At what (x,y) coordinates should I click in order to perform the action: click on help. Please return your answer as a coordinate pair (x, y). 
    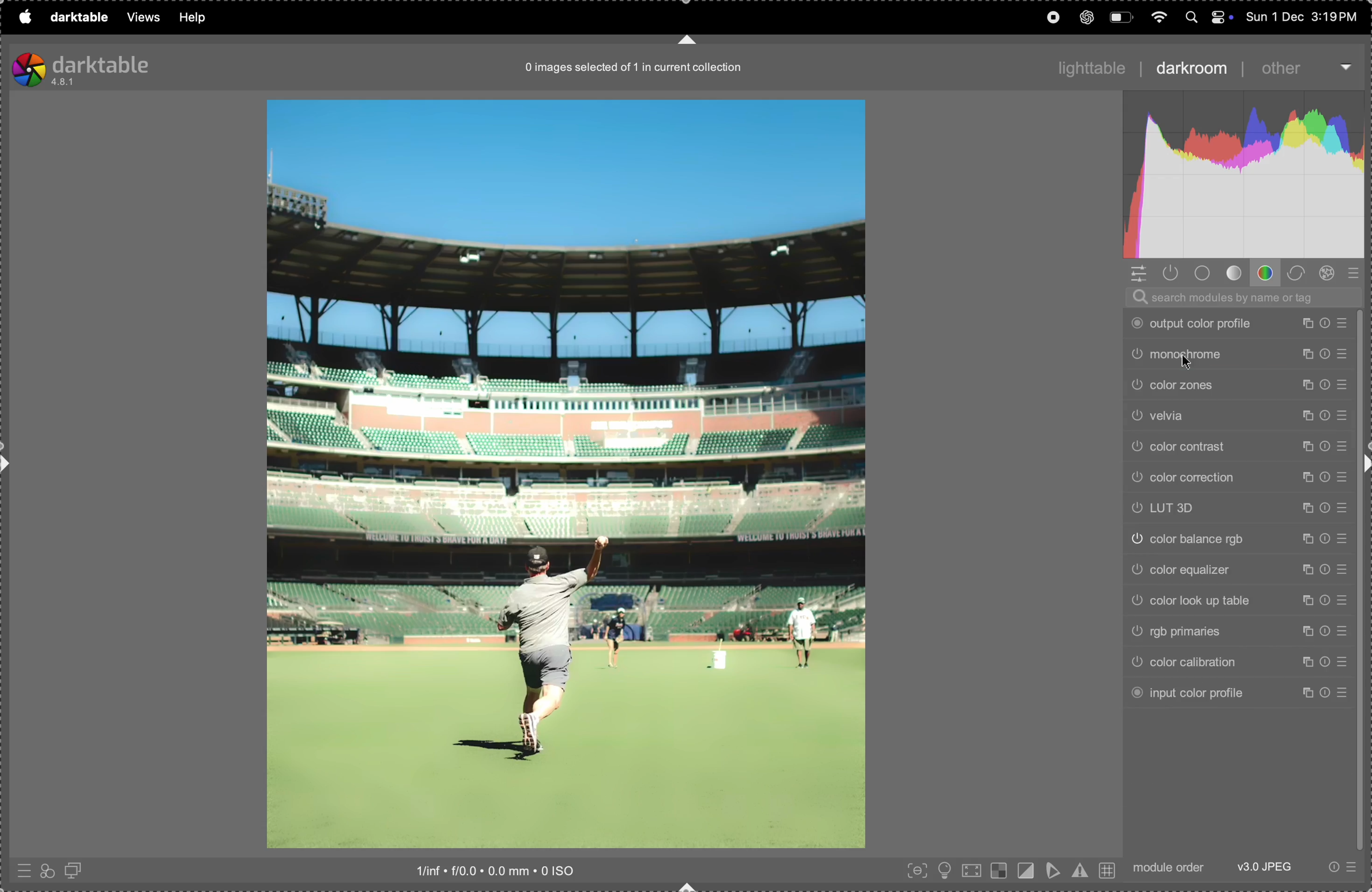
    Looking at the image, I should click on (197, 17).